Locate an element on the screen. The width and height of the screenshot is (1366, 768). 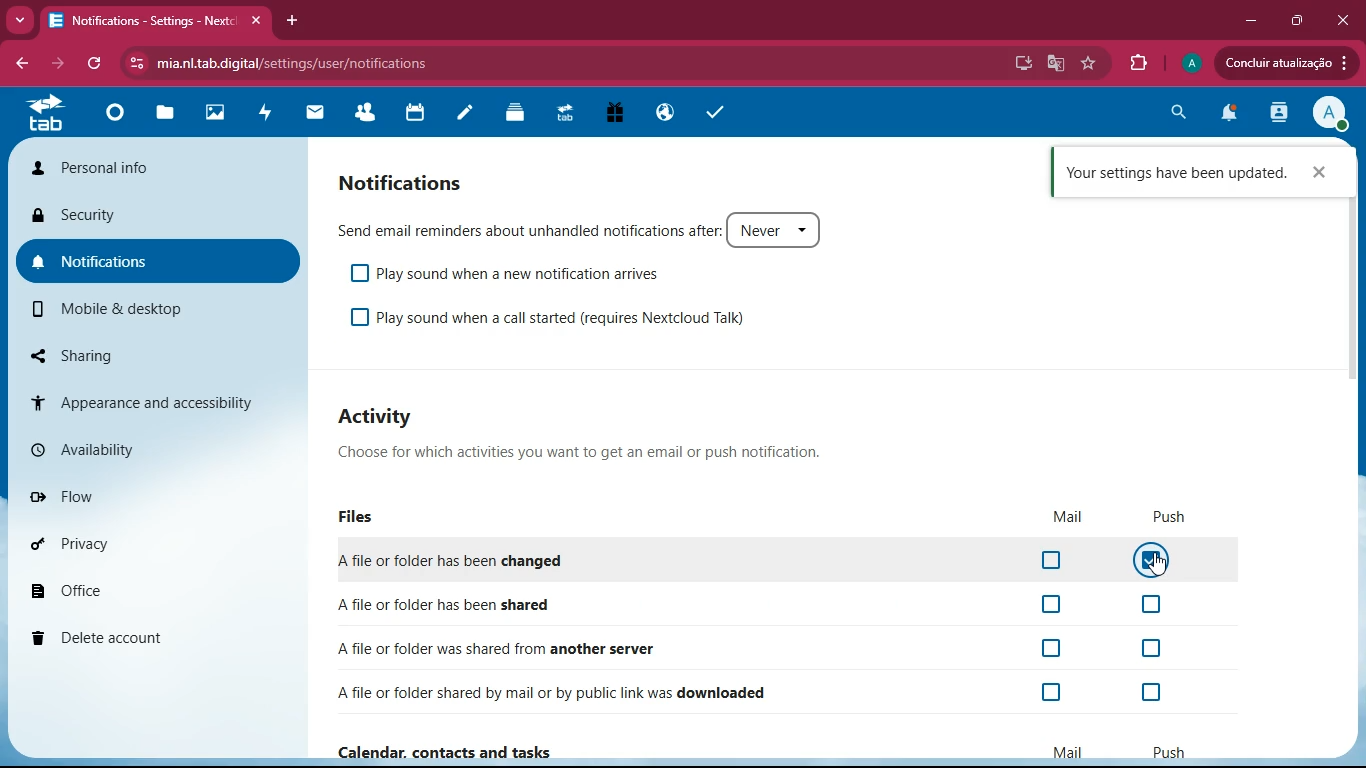
delete  is located at coordinates (146, 633).